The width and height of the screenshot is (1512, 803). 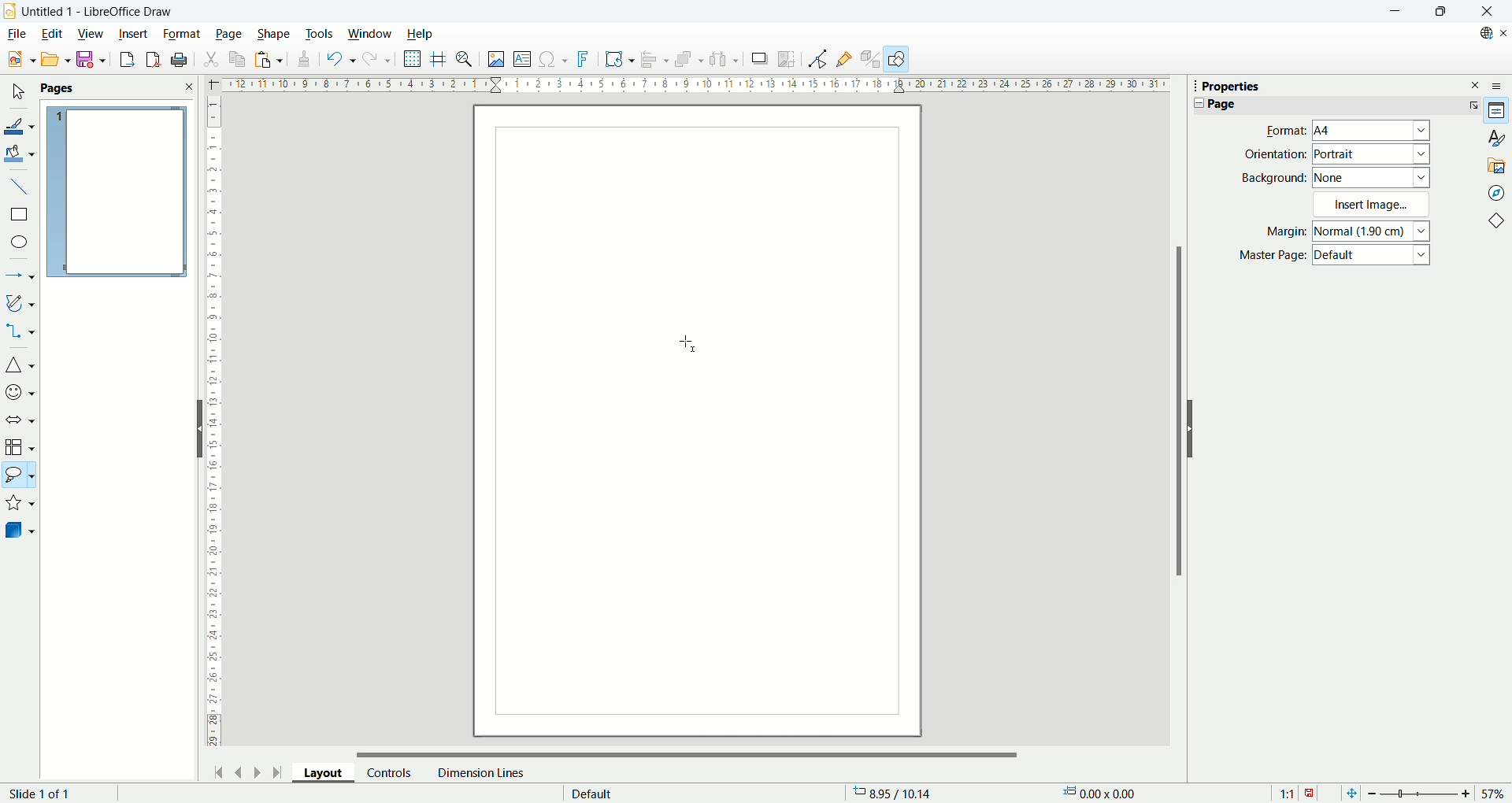 What do you see at coordinates (370, 35) in the screenshot?
I see `window` at bounding box center [370, 35].